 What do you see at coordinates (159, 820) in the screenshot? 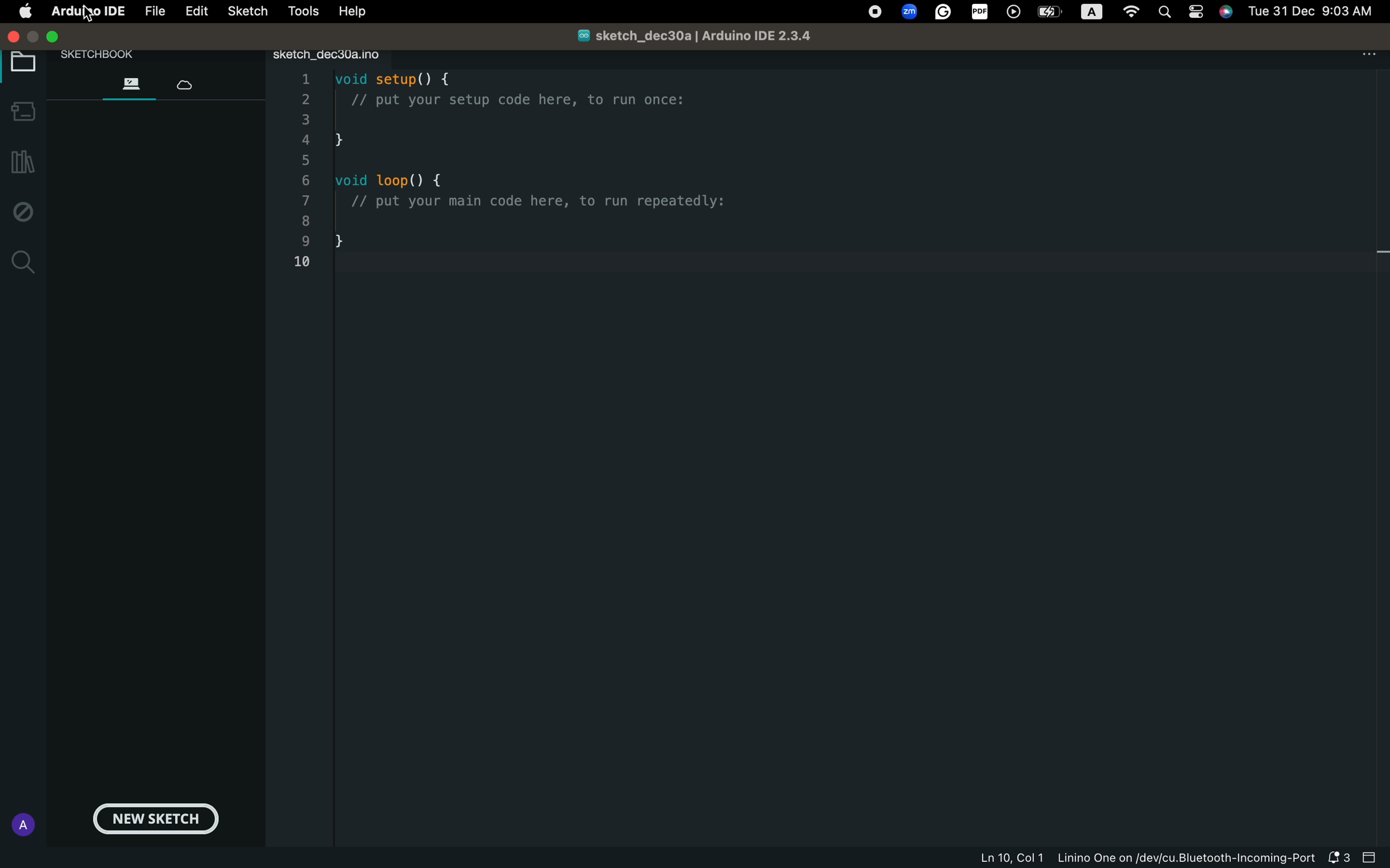
I see `new sketch` at bounding box center [159, 820].